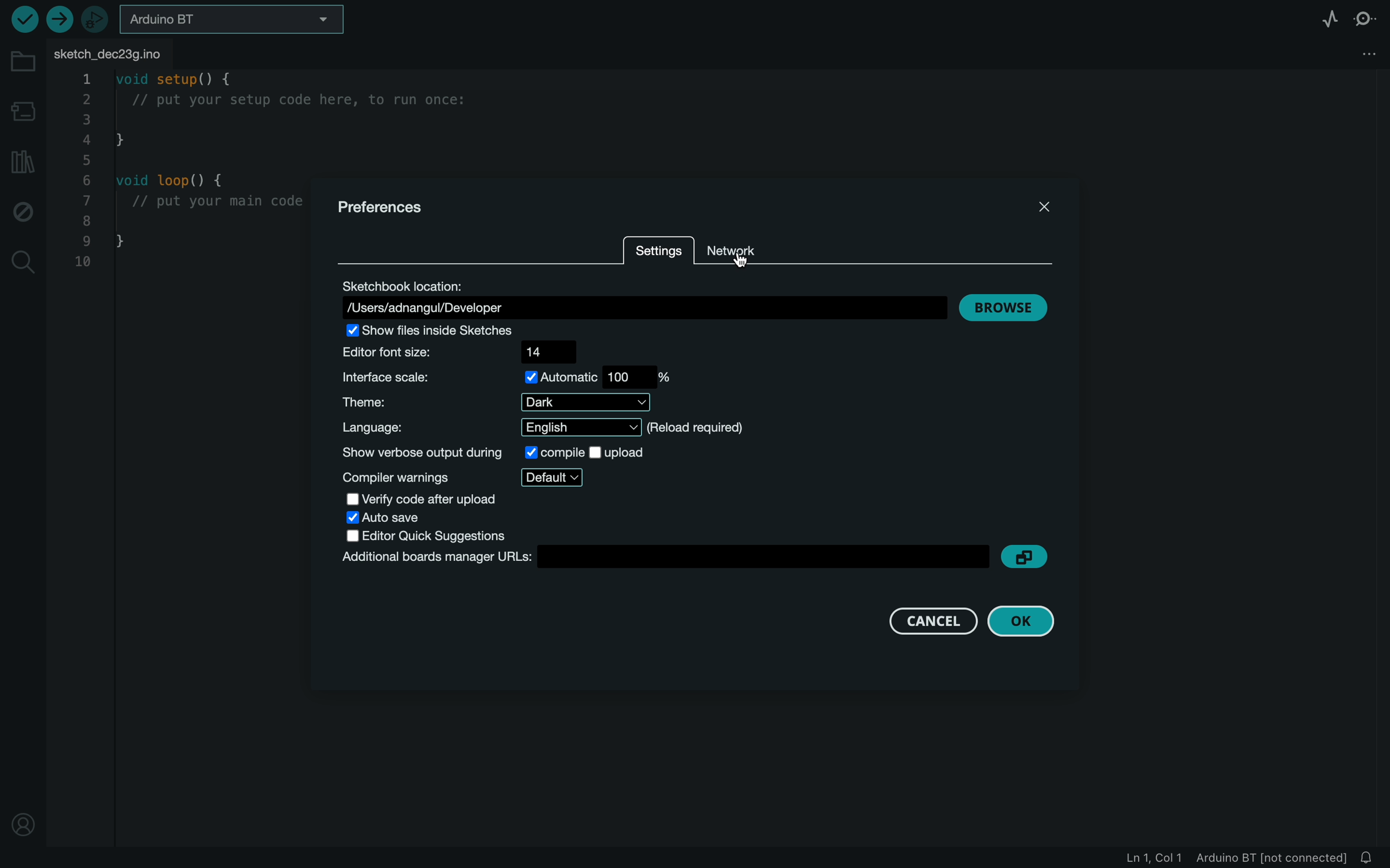 The image size is (1390, 868). What do you see at coordinates (20, 162) in the screenshot?
I see `library manager` at bounding box center [20, 162].